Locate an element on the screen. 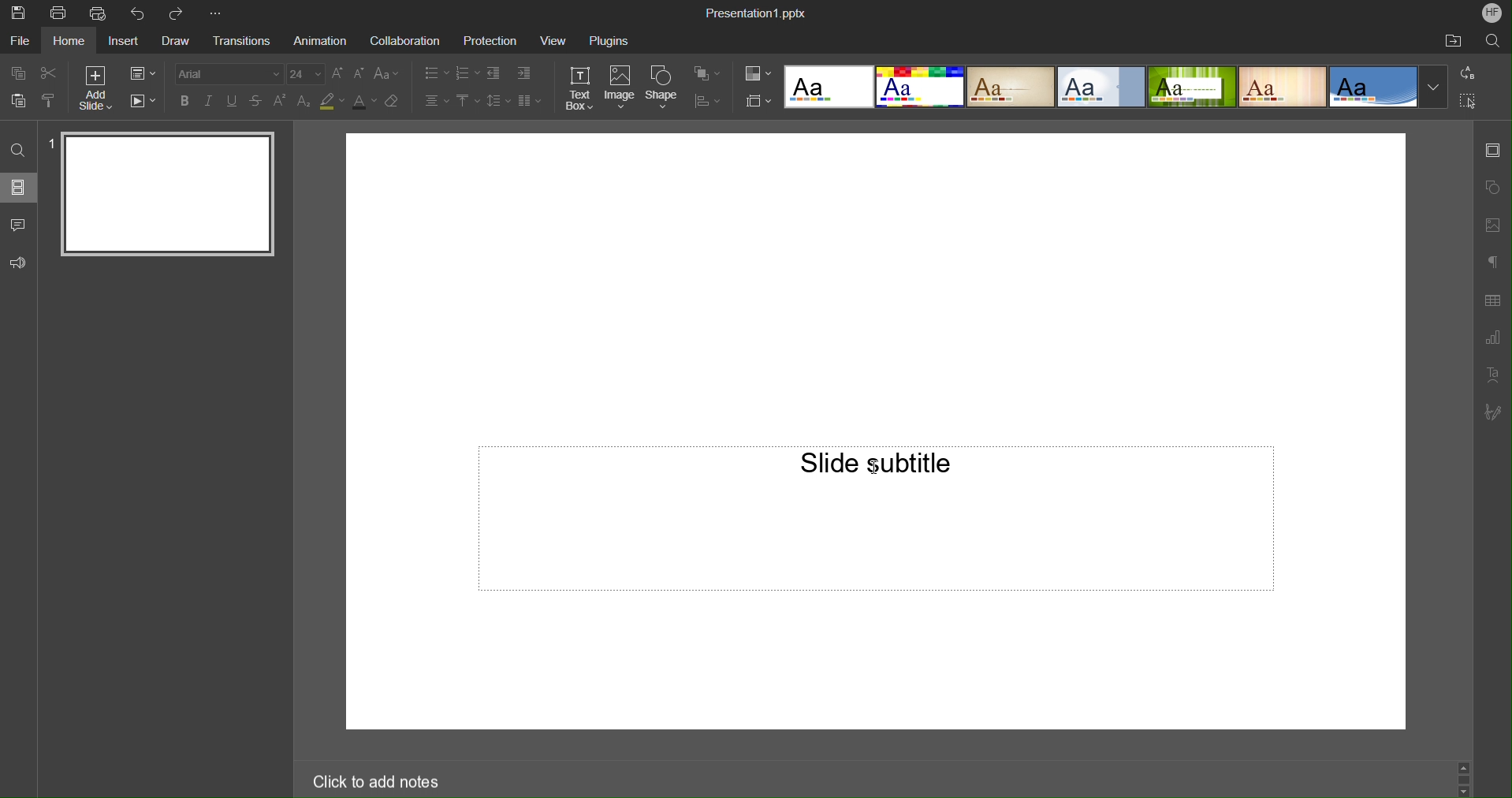 Image resolution: width=1512 pixels, height=798 pixels. scroll down is located at coordinates (1463, 792).